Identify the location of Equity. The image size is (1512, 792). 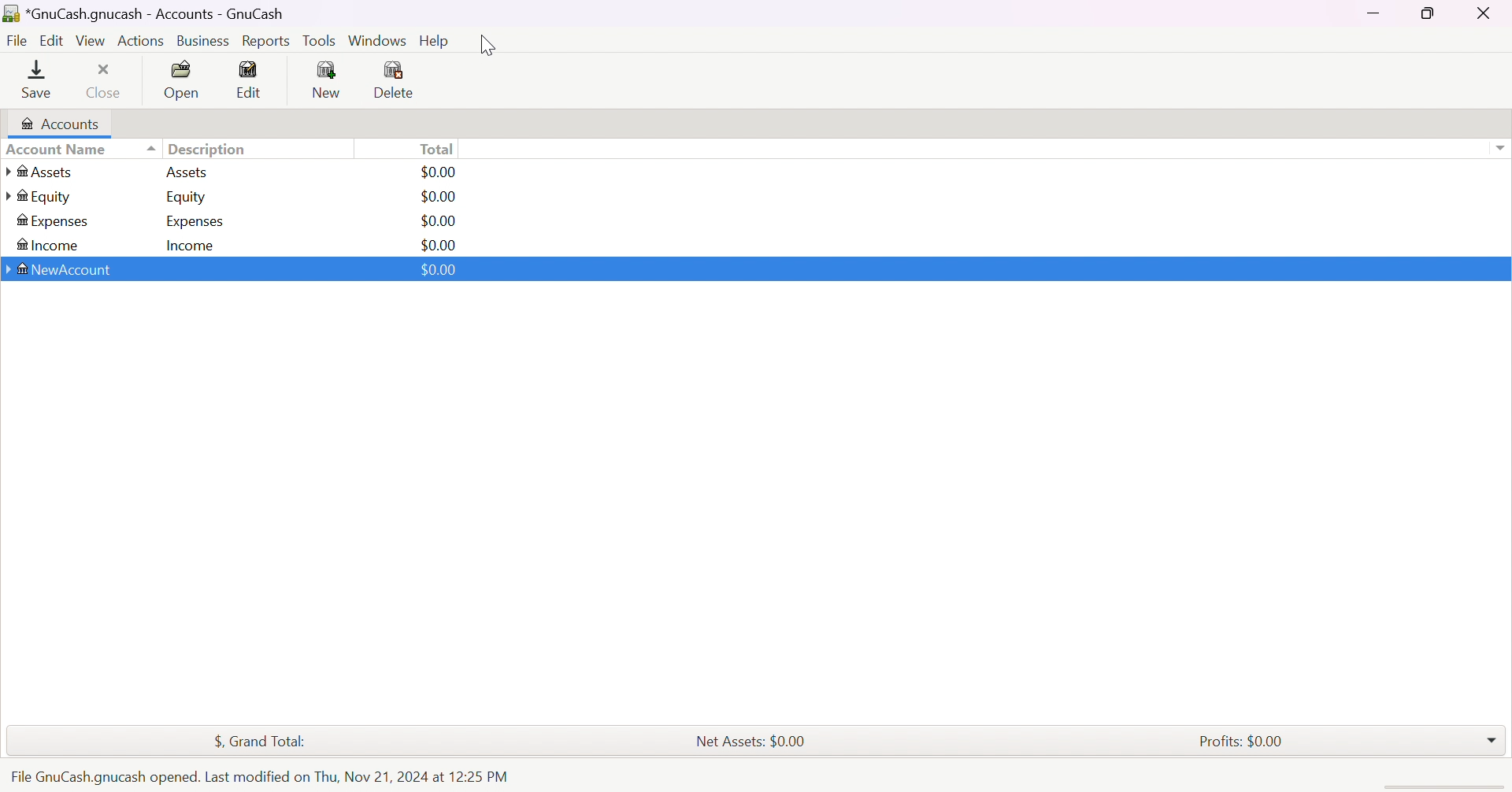
(188, 195).